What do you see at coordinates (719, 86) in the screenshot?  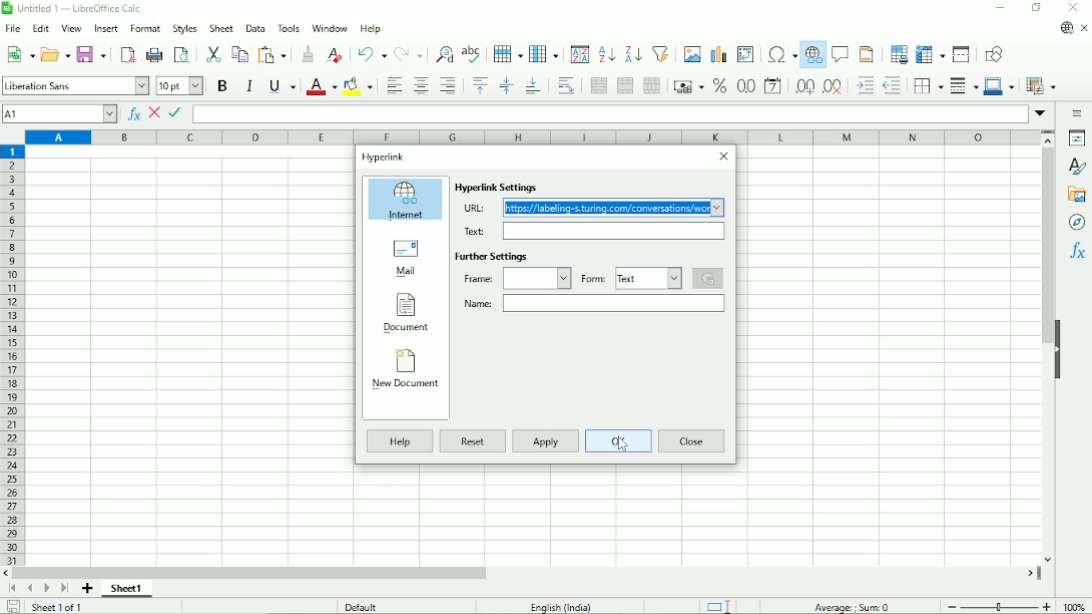 I see `Format as percent` at bounding box center [719, 86].